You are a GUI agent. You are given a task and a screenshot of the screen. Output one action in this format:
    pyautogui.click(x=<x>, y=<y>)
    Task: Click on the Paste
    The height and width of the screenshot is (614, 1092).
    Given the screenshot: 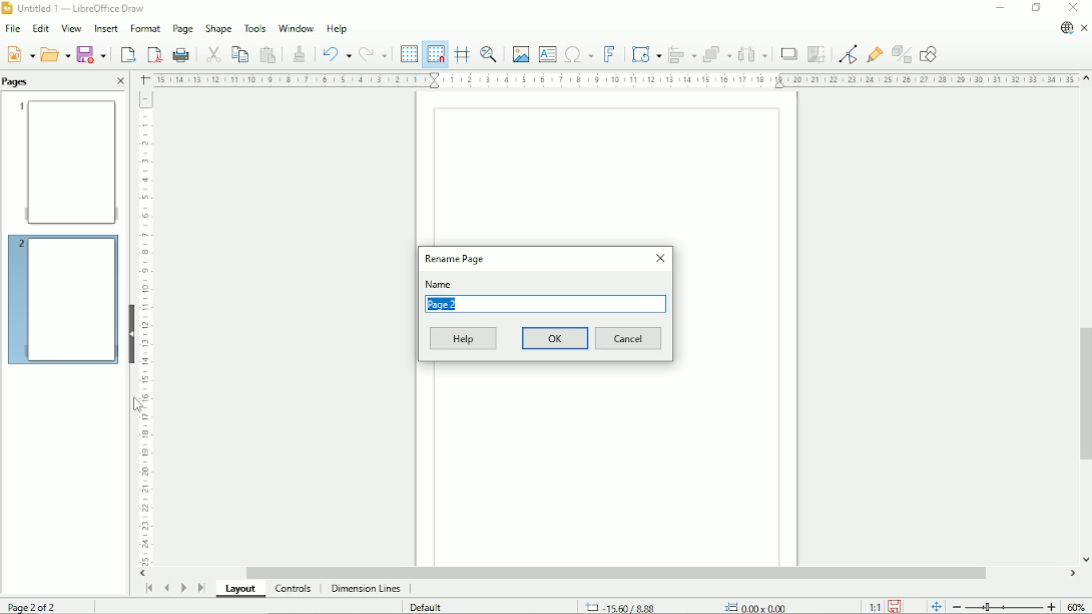 What is the action you would take?
    pyautogui.click(x=268, y=54)
    